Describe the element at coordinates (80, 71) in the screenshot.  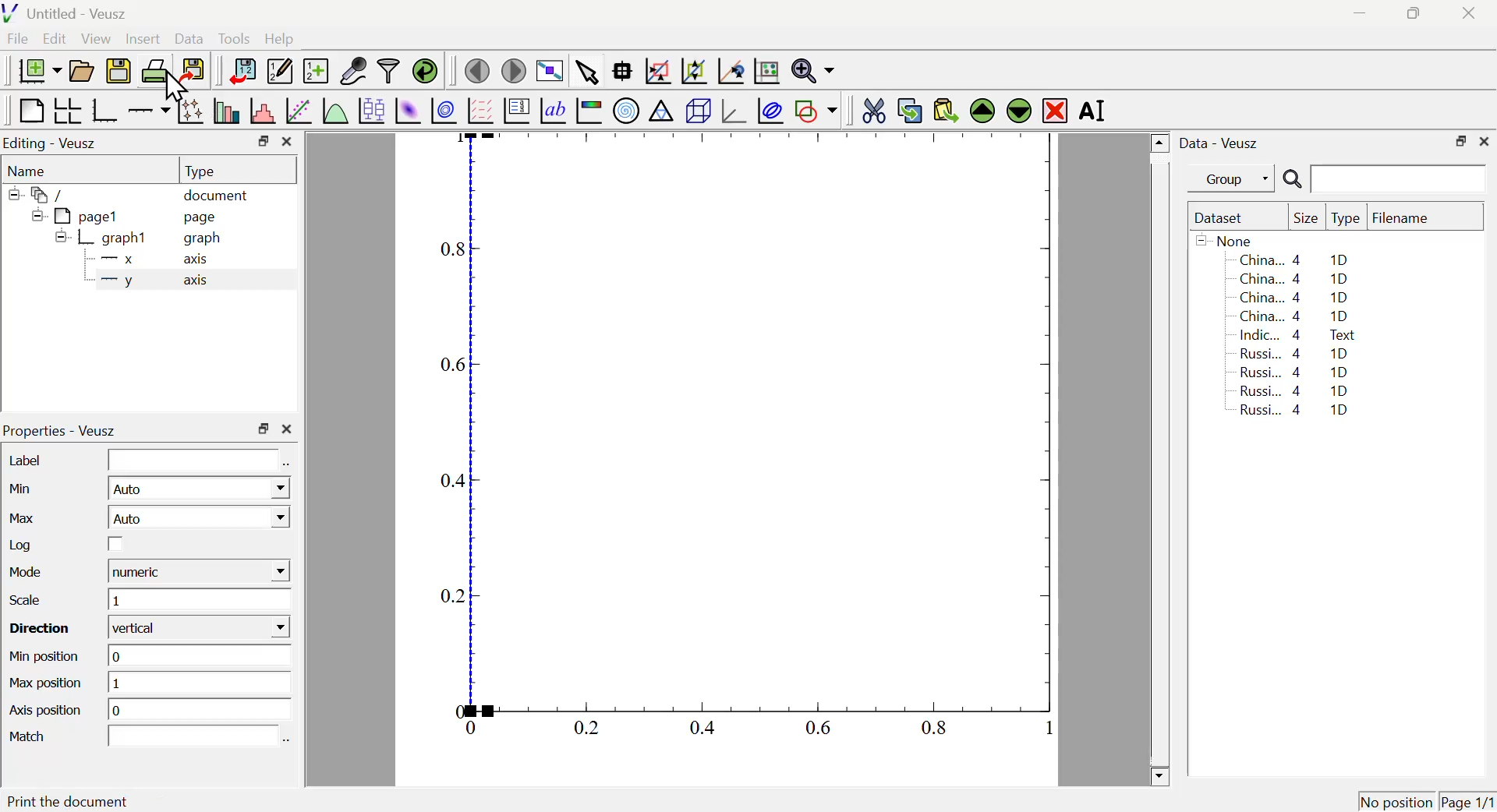
I see `Open a document` at that location.